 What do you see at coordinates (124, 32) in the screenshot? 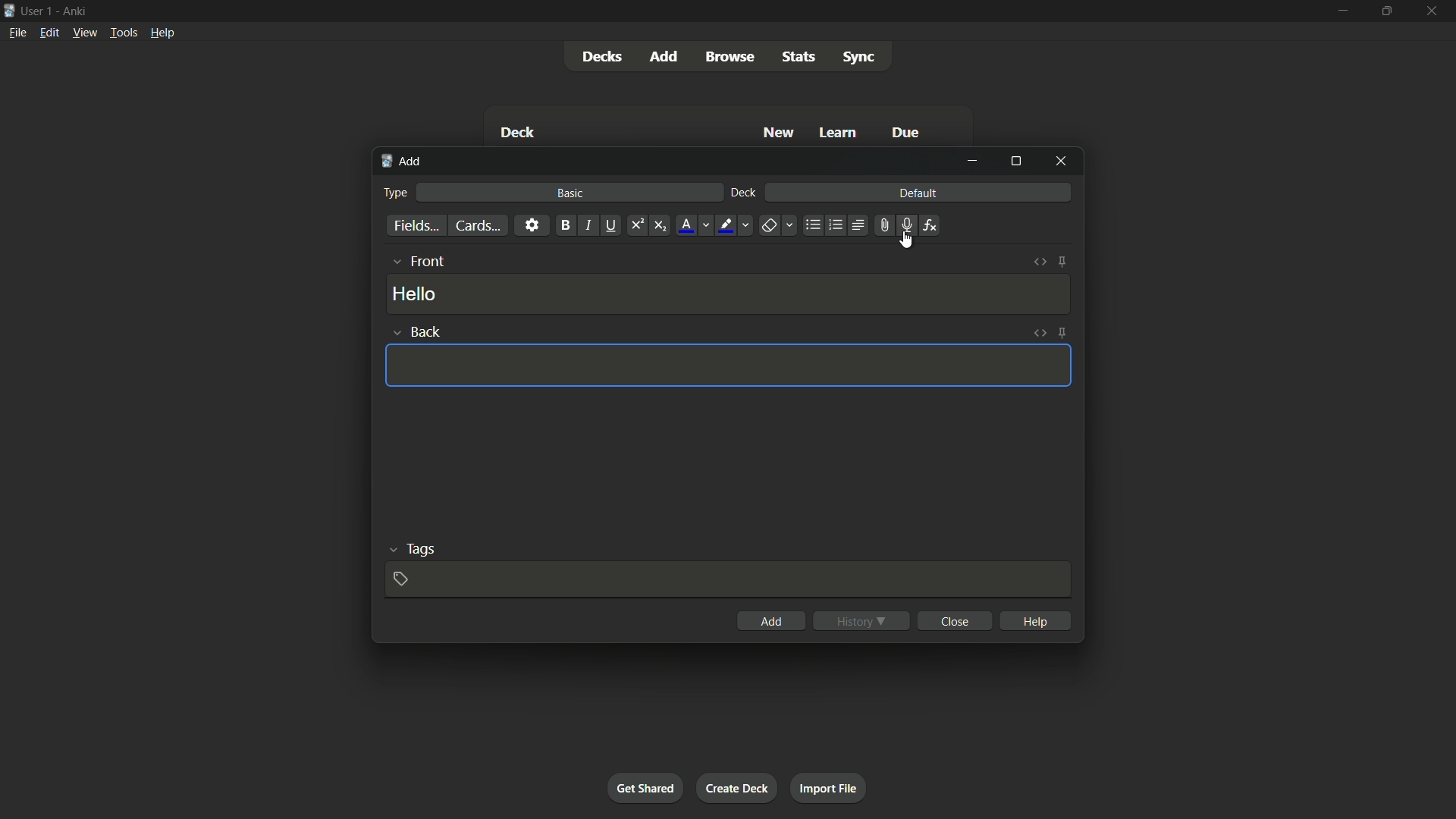
I see `tools menu` at bounding box center [124, 32].